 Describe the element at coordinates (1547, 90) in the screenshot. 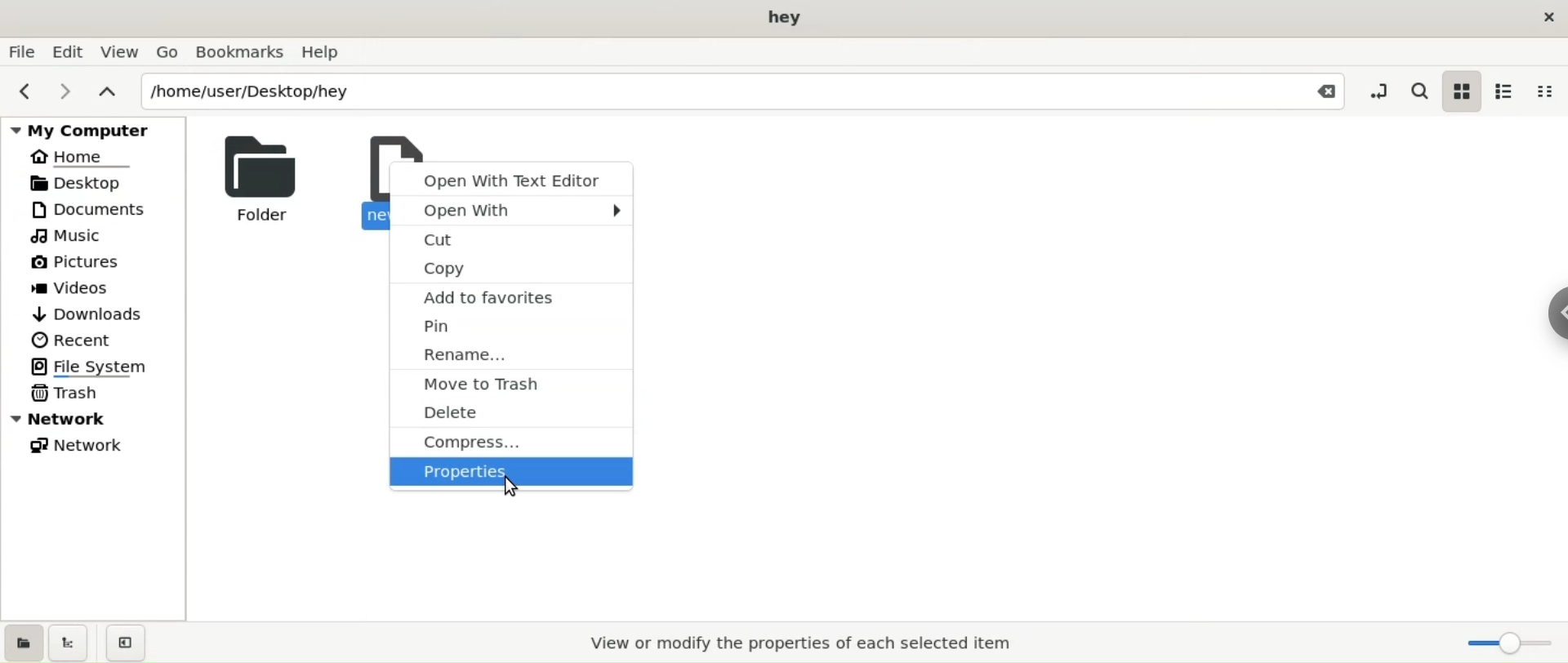

I see `compact view` at that location.